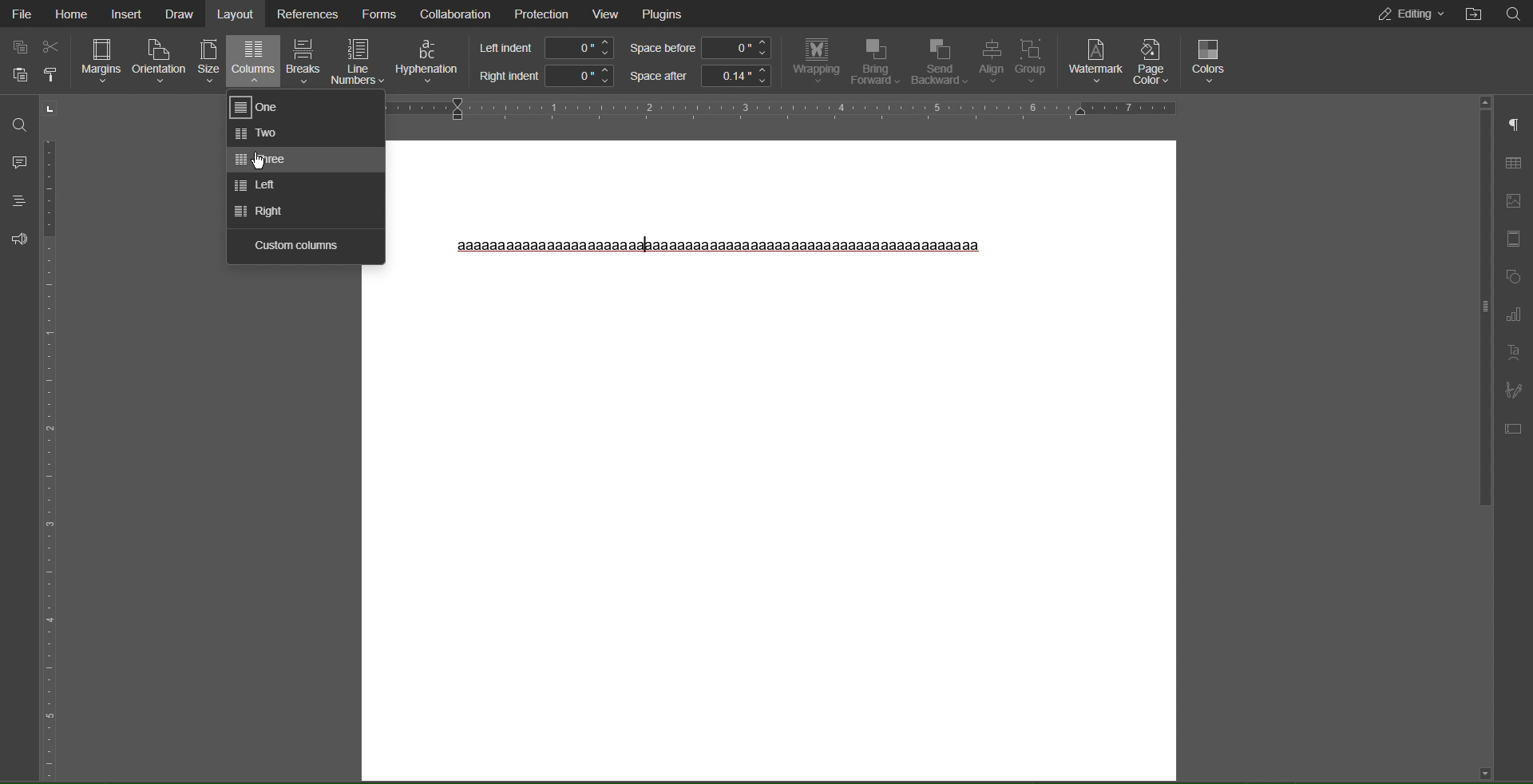  I want to click on Send Backward, so click(941, 62).